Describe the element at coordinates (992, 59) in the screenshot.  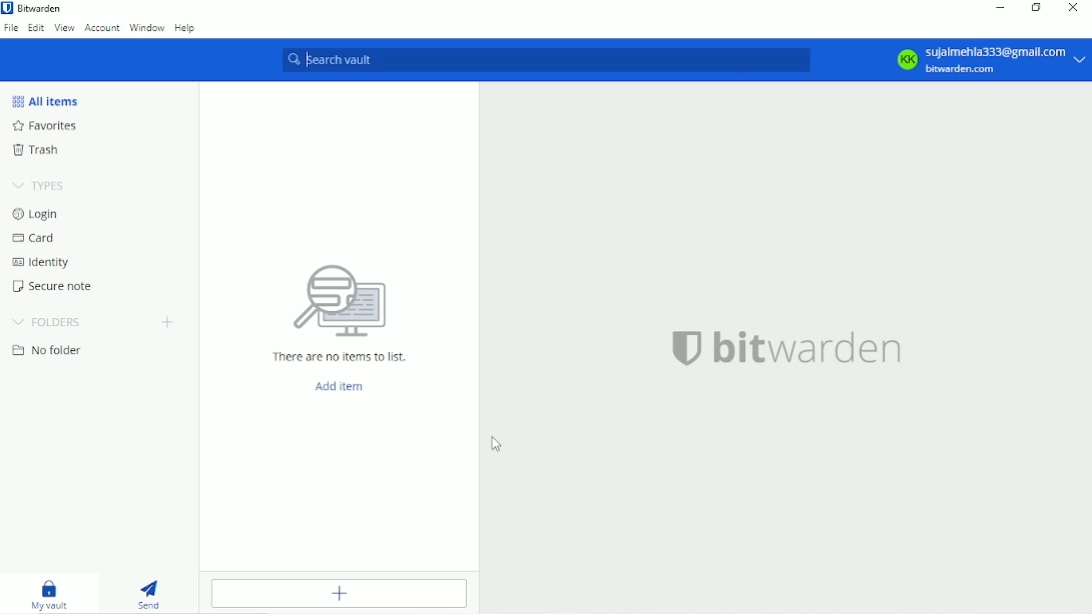
I see `sujaimehla333@gmall.com  bitwarden.com` at that location.